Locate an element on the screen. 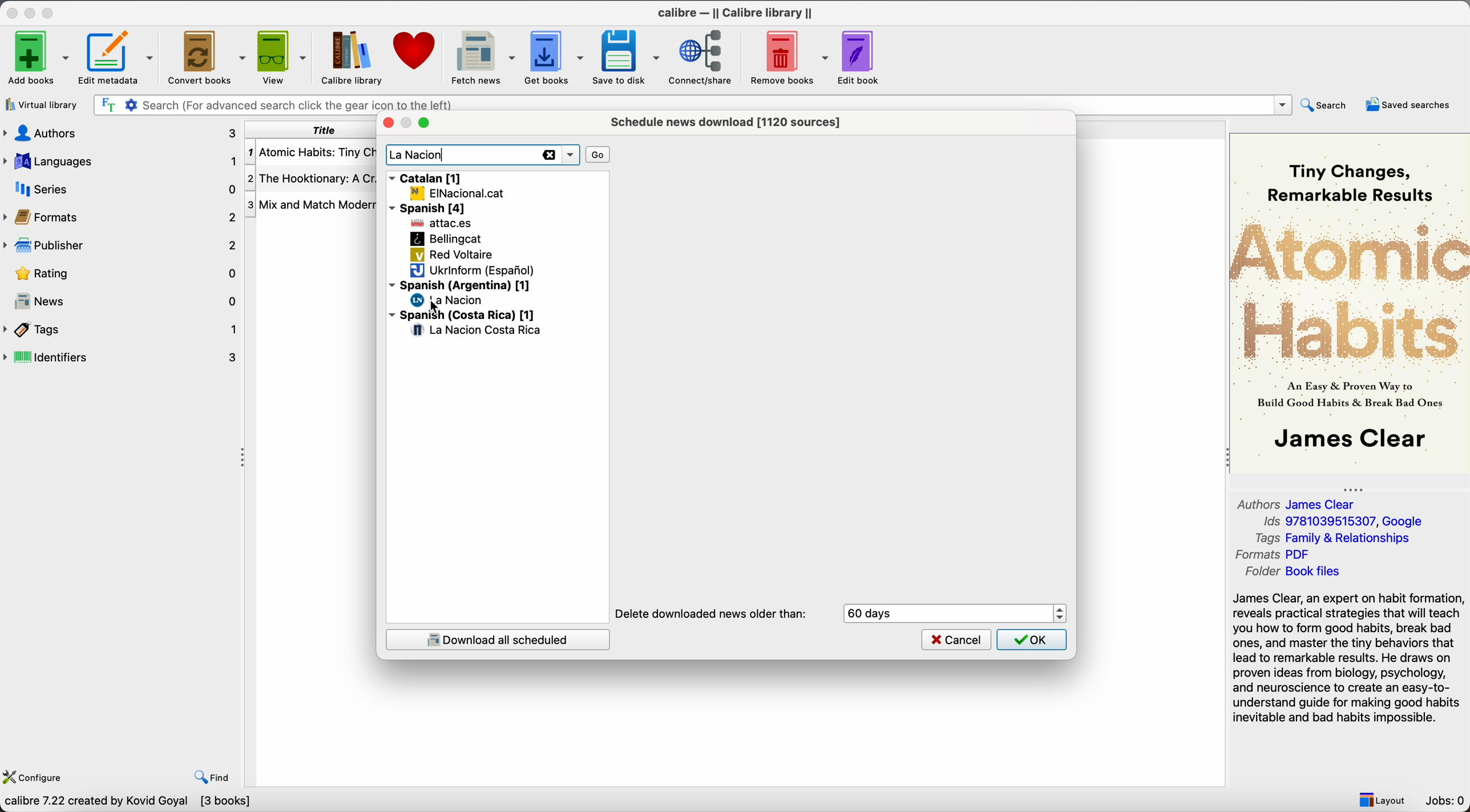 This screenshot has width=1470, height=812. Ukrinform (Español) is located at coordinates (472, 271).